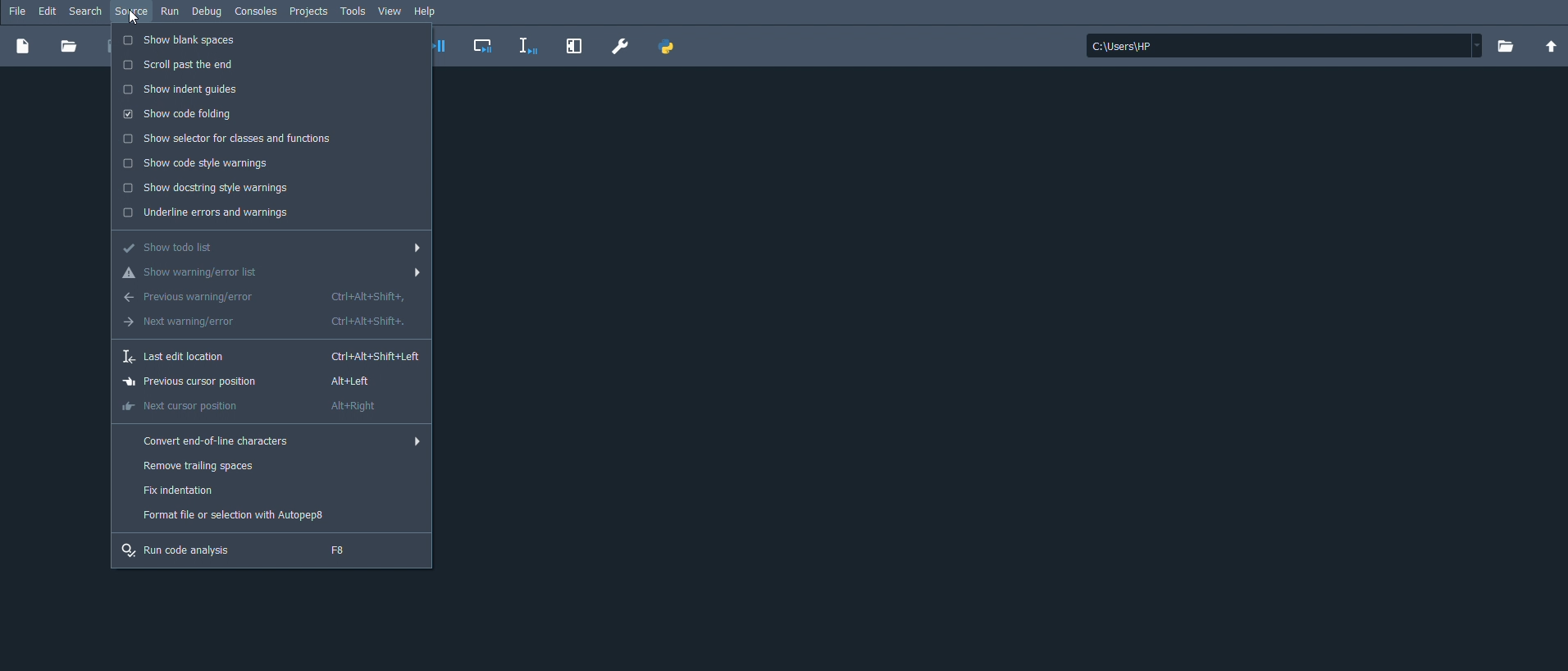 This screenshot has height=671, width=1568. What do you see at coordinates (22, 47) in the screenshot?
I see `New file` at bounding box center [22, 47].